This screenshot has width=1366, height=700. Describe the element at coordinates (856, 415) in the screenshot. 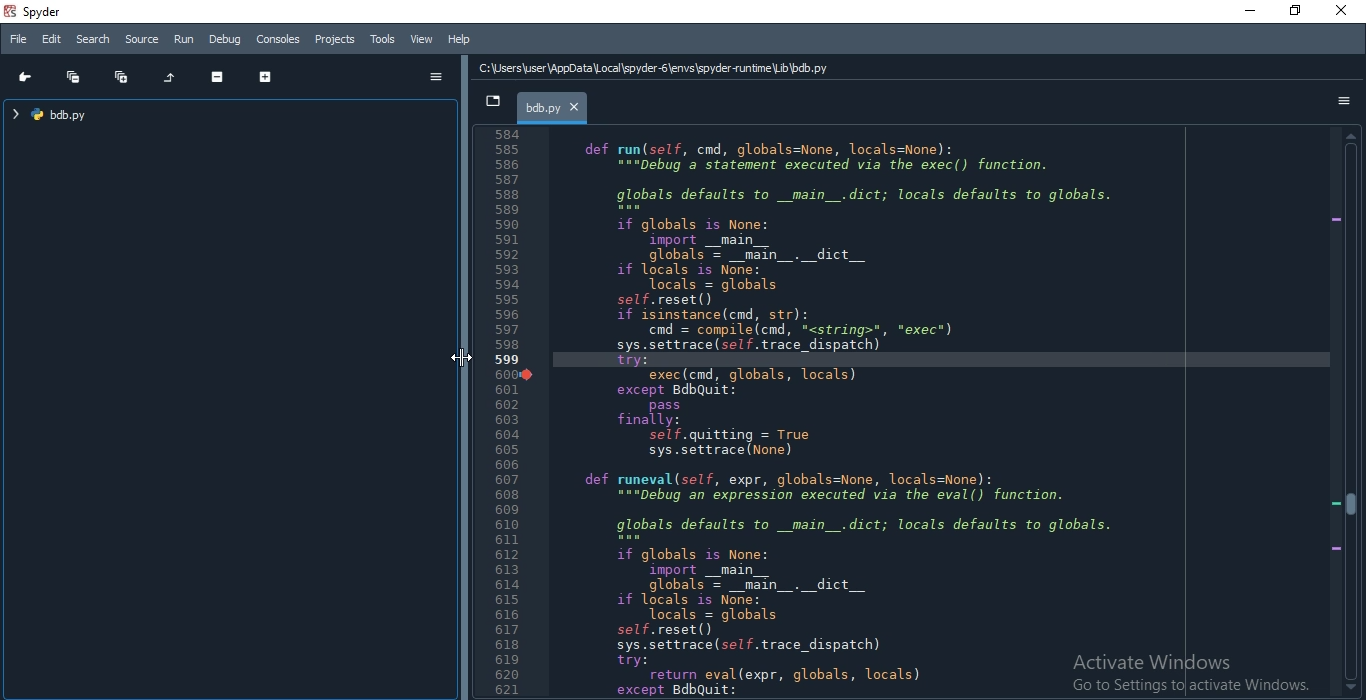

I see `def run(self, cnd, globals=None, locals=None):
“="pebug’a statement executed via the exec() function.
globals defaults to _main_.dict; locals defaults to globals.
if globals is None:
import __main__
globals = _main_._dict__
if locals is None:
Tocals = globals
self.reset()
if isinstance(cnd, str):
cnd = compile(cnd, <string>", *exec*)
sys.settrace (sel. trace_dispatch)
try:
exec(cnd, globals, locals)
except BdbQuit:
pass
finally:
self.quitting = True
sys.settrace (None)
def runeval(self, expr, globals=None, locals=None):
“="Debug an expression executed via the eval() function.
globals defaults to _main_.dict; locals defaults to globals.
if globals is None:
import _main__
globals = _main_._dict__
if locals is None:
Tocals = globals
self.reset()
sys.settrace (sel. trace_dispatch)
try:
return eval(expr, globals, locals)
except BdbQuit:` at that location.